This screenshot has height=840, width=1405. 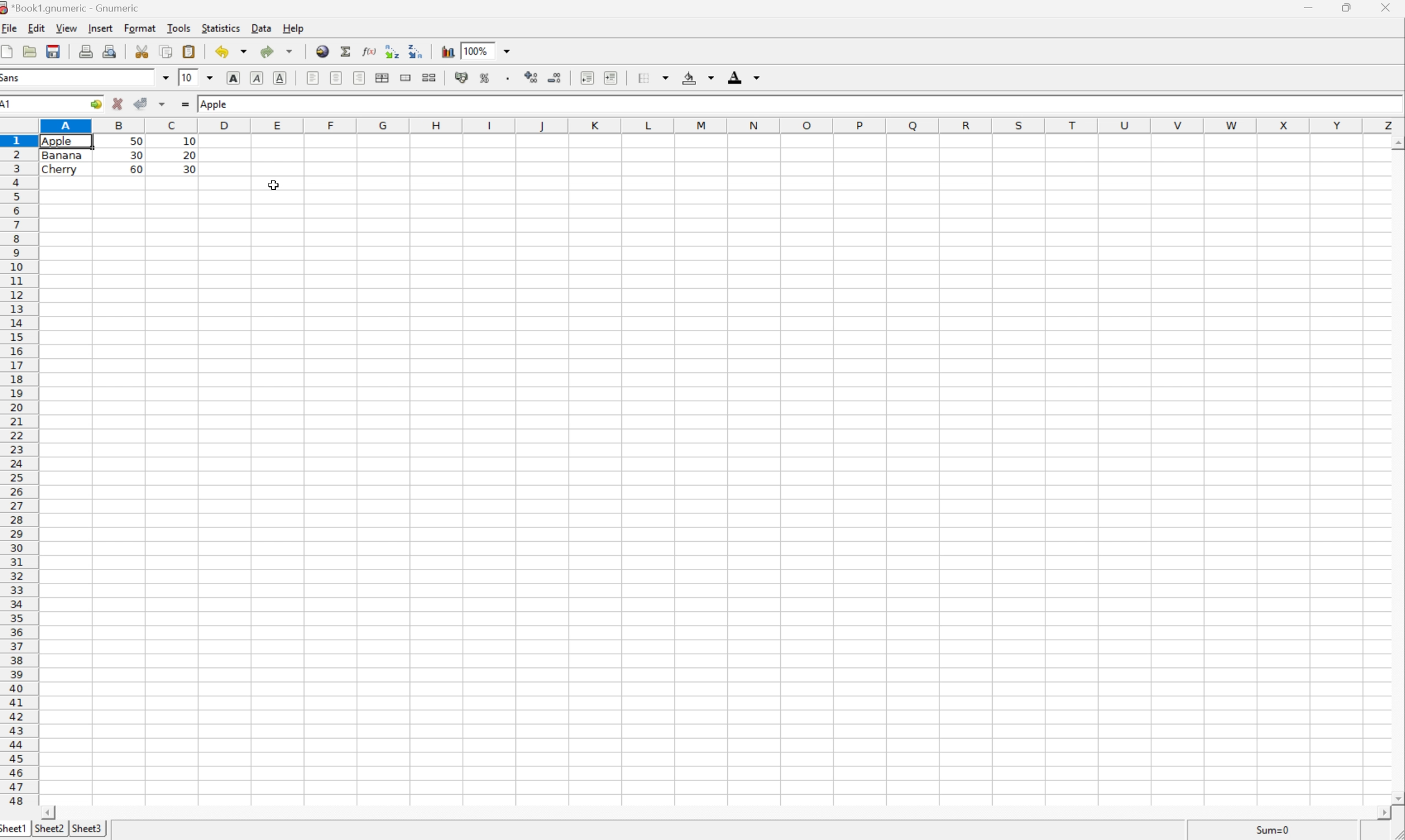 What do you see at coordinates (700, 78) in the screenshot?
I see `background` at bounding box center [700, 78].